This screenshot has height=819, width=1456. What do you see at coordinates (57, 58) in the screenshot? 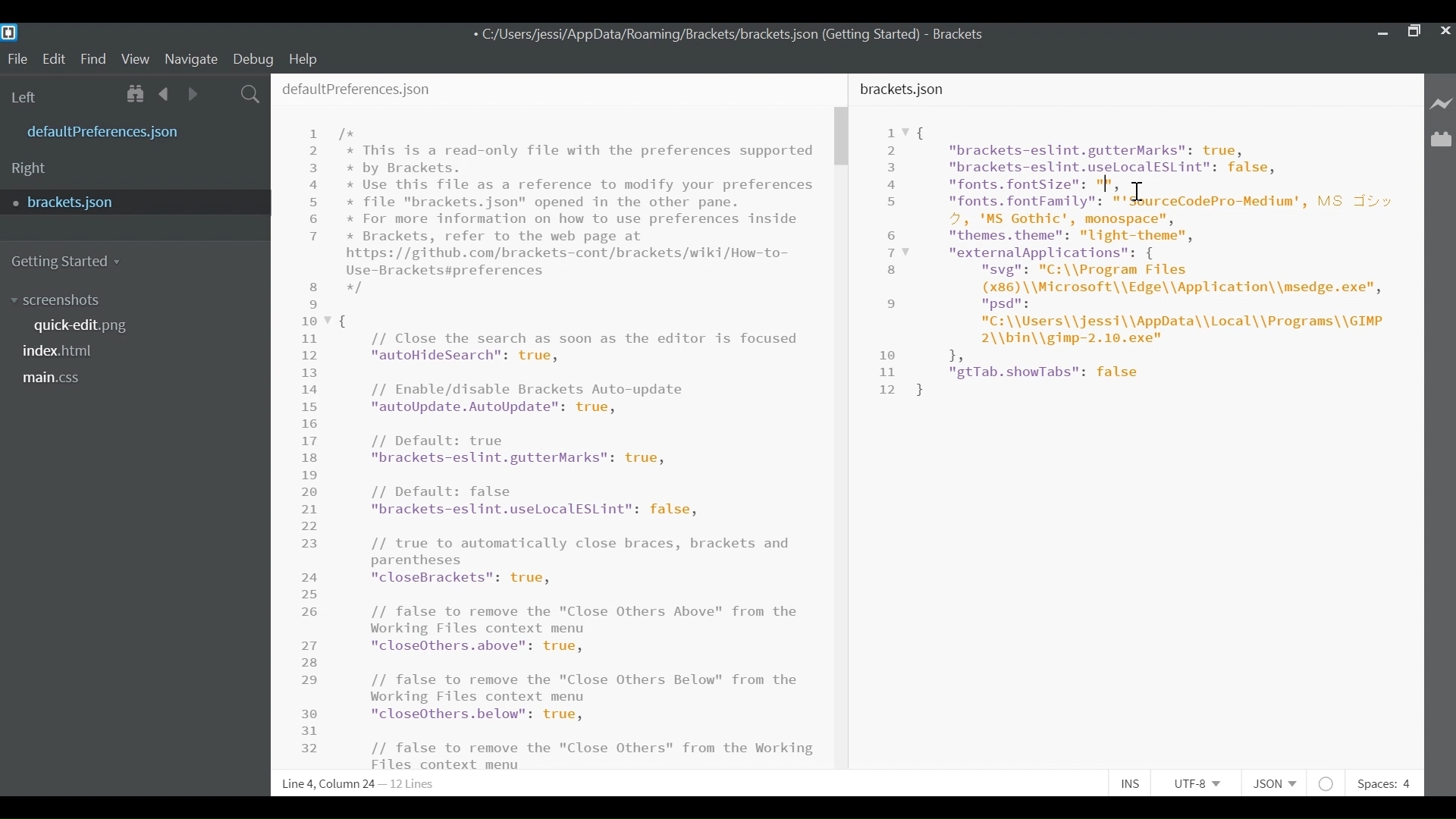
I see `Edit` at bounding box center [57, 58].